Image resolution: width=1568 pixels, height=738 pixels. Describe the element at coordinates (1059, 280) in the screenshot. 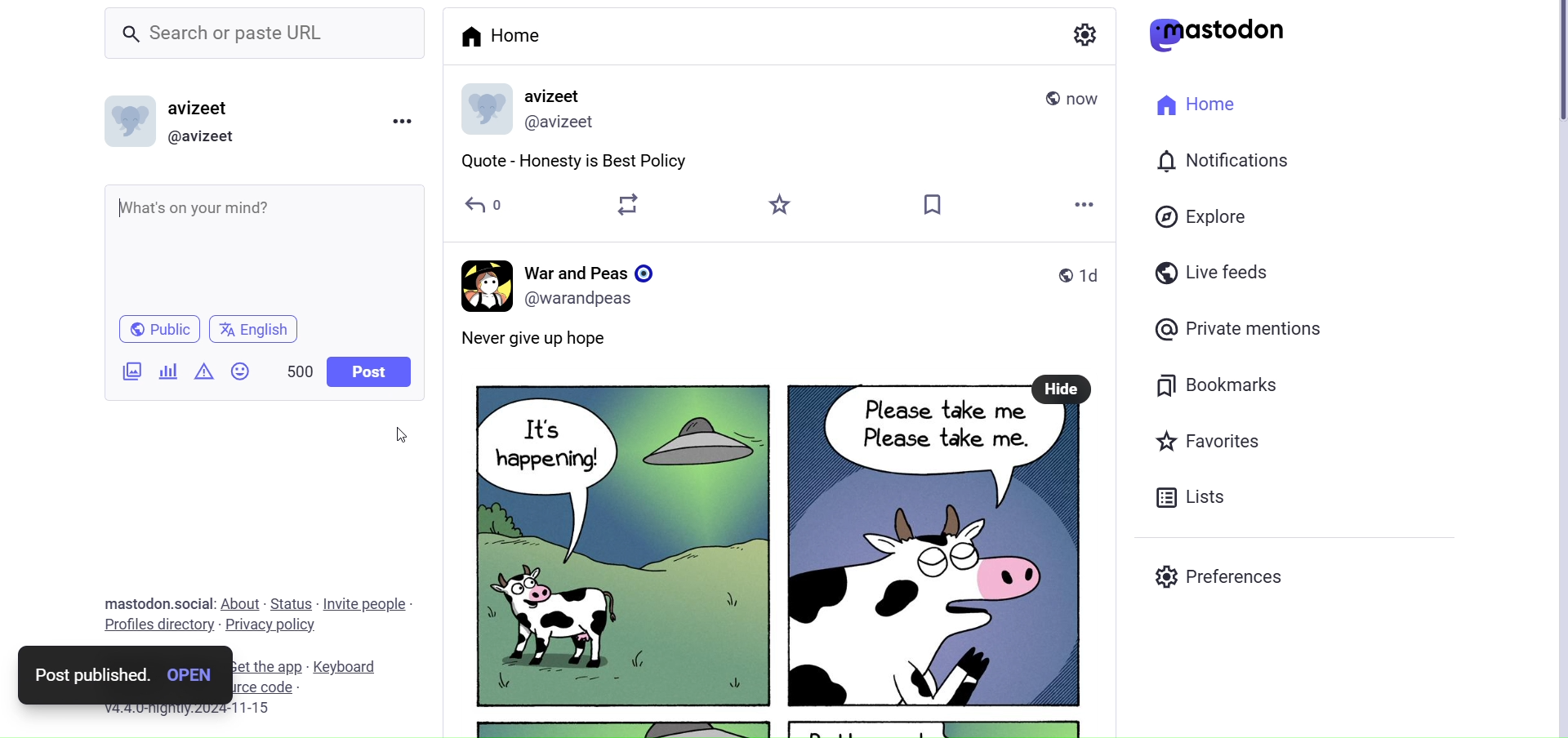

I see `public` at that location.